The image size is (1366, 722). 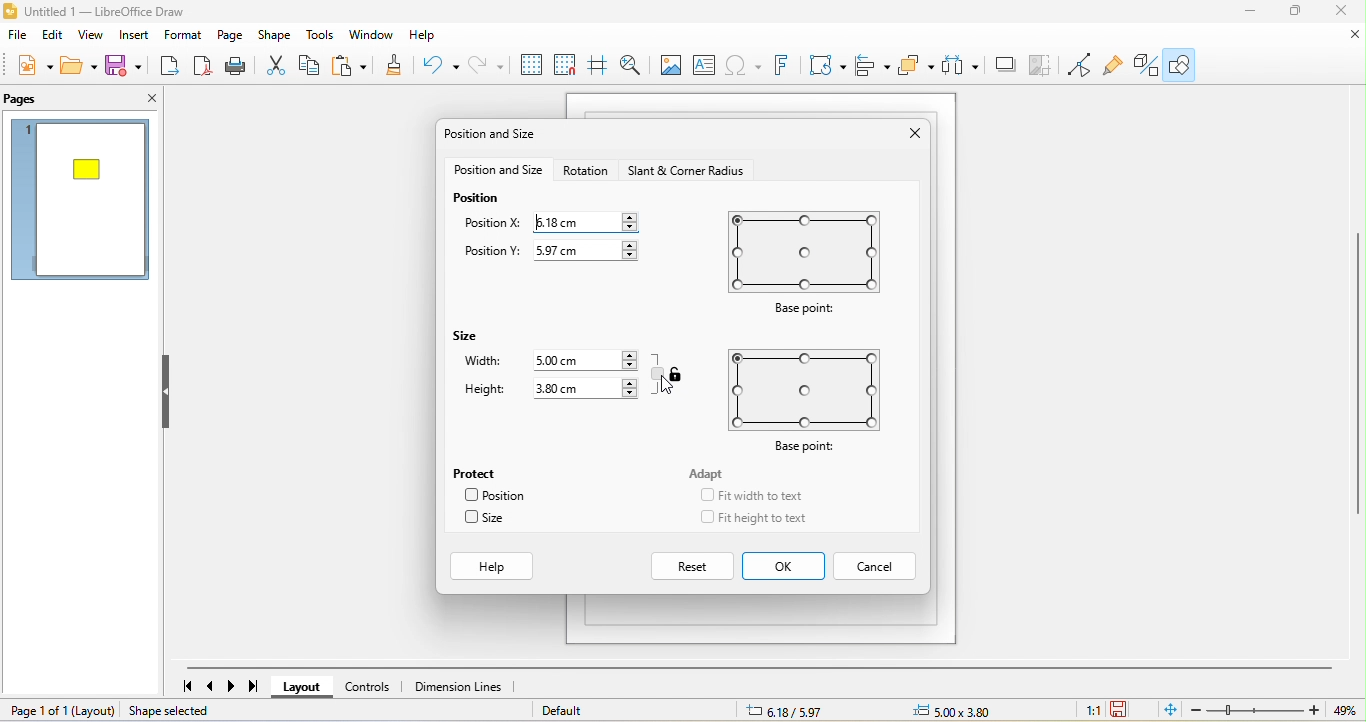 I want to click on previous page, so click(x=211, y=687).